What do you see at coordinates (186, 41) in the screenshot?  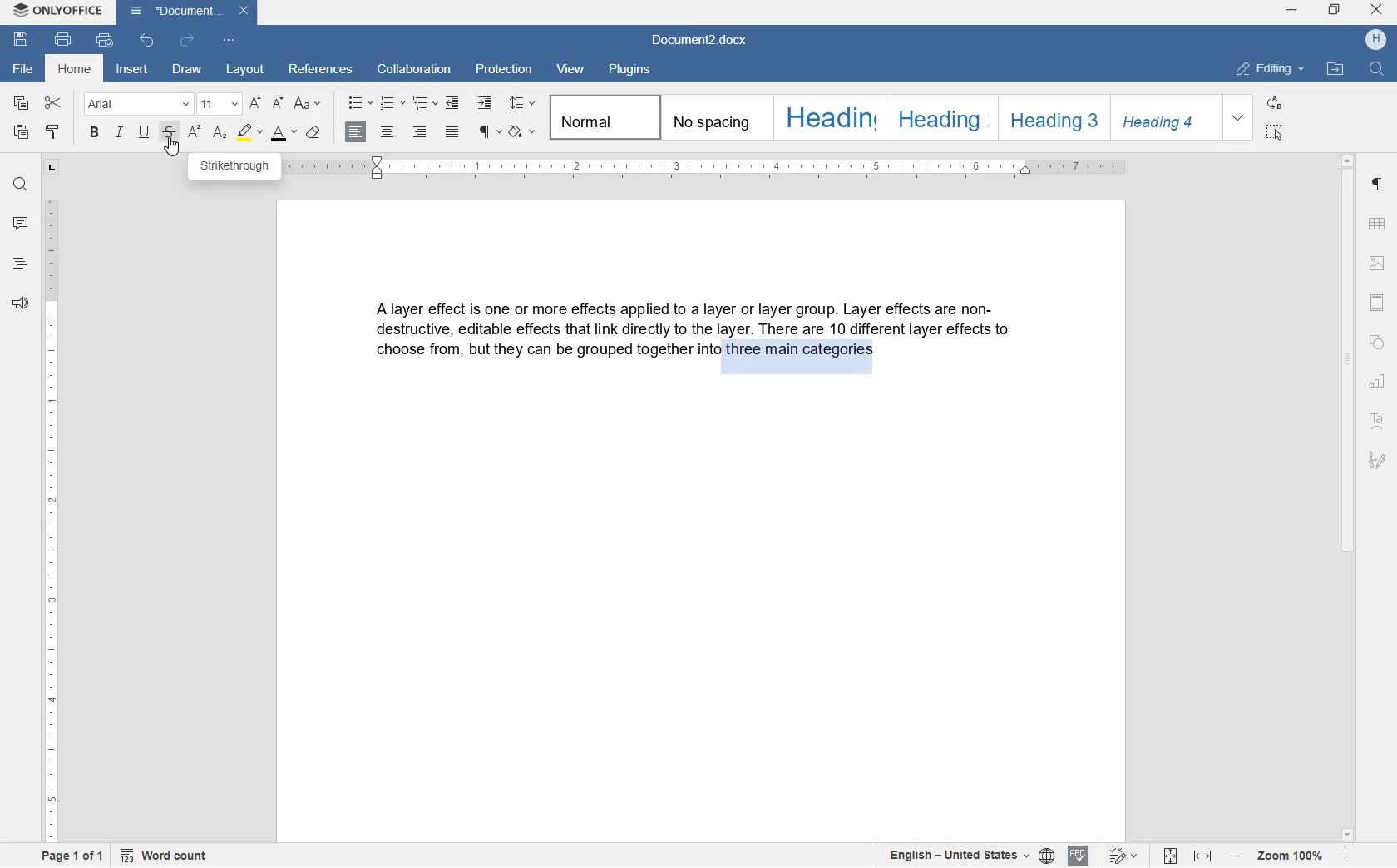 I see `redo` at bounding box center [186, 41].